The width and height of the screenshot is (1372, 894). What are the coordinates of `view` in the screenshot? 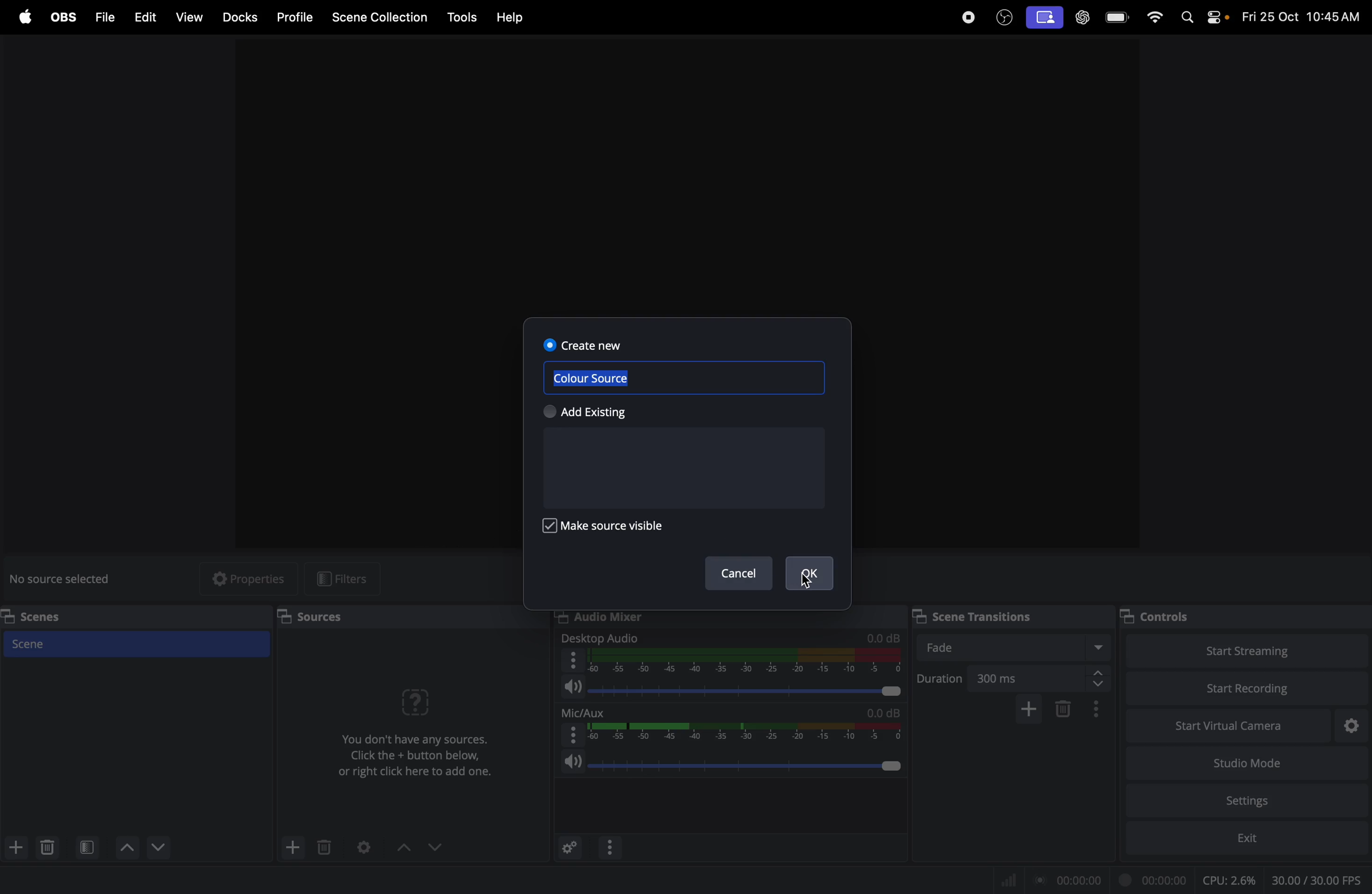 It's located at (186, 16).